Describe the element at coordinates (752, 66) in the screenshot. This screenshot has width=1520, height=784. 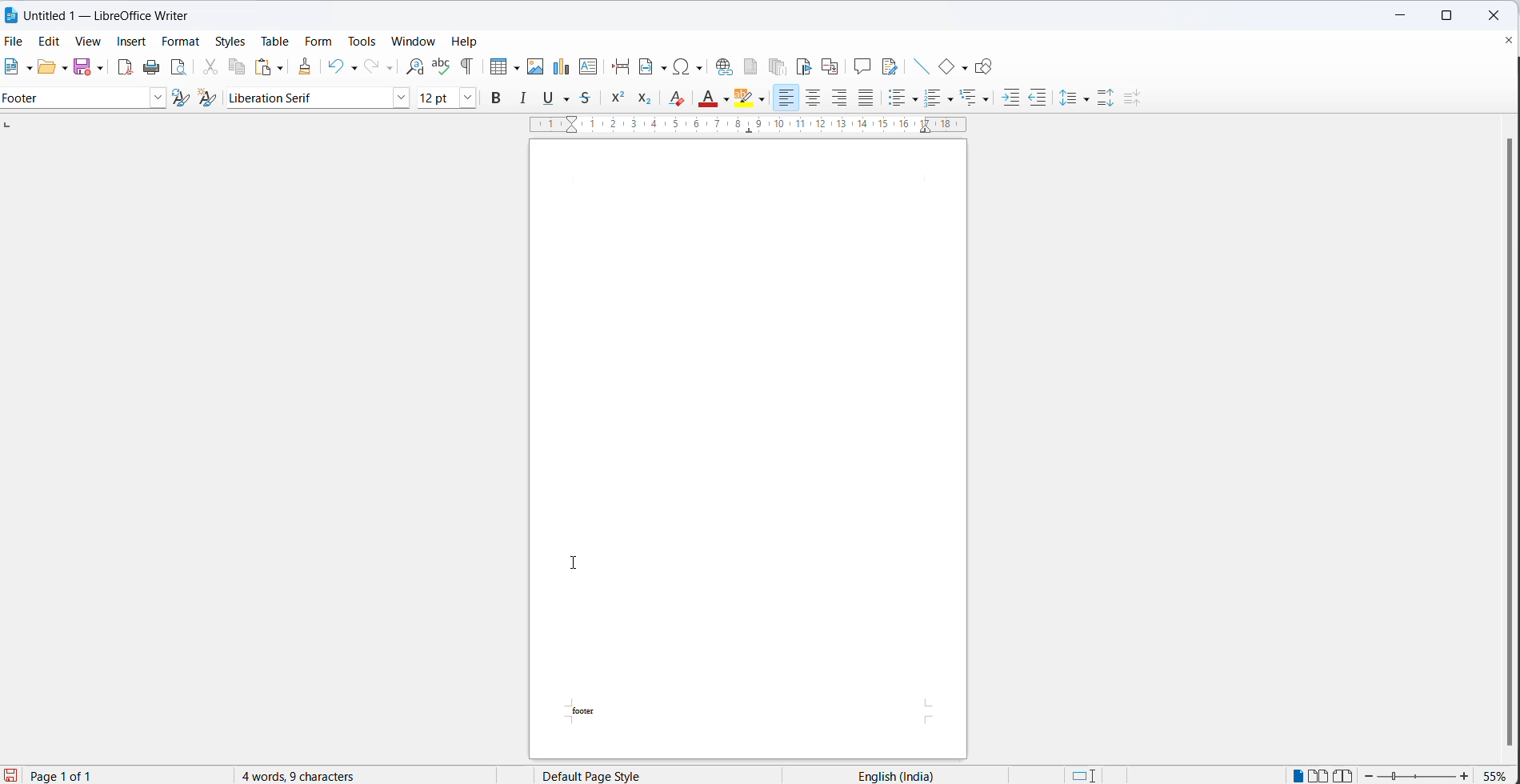
I see `insert footnote` at that location.